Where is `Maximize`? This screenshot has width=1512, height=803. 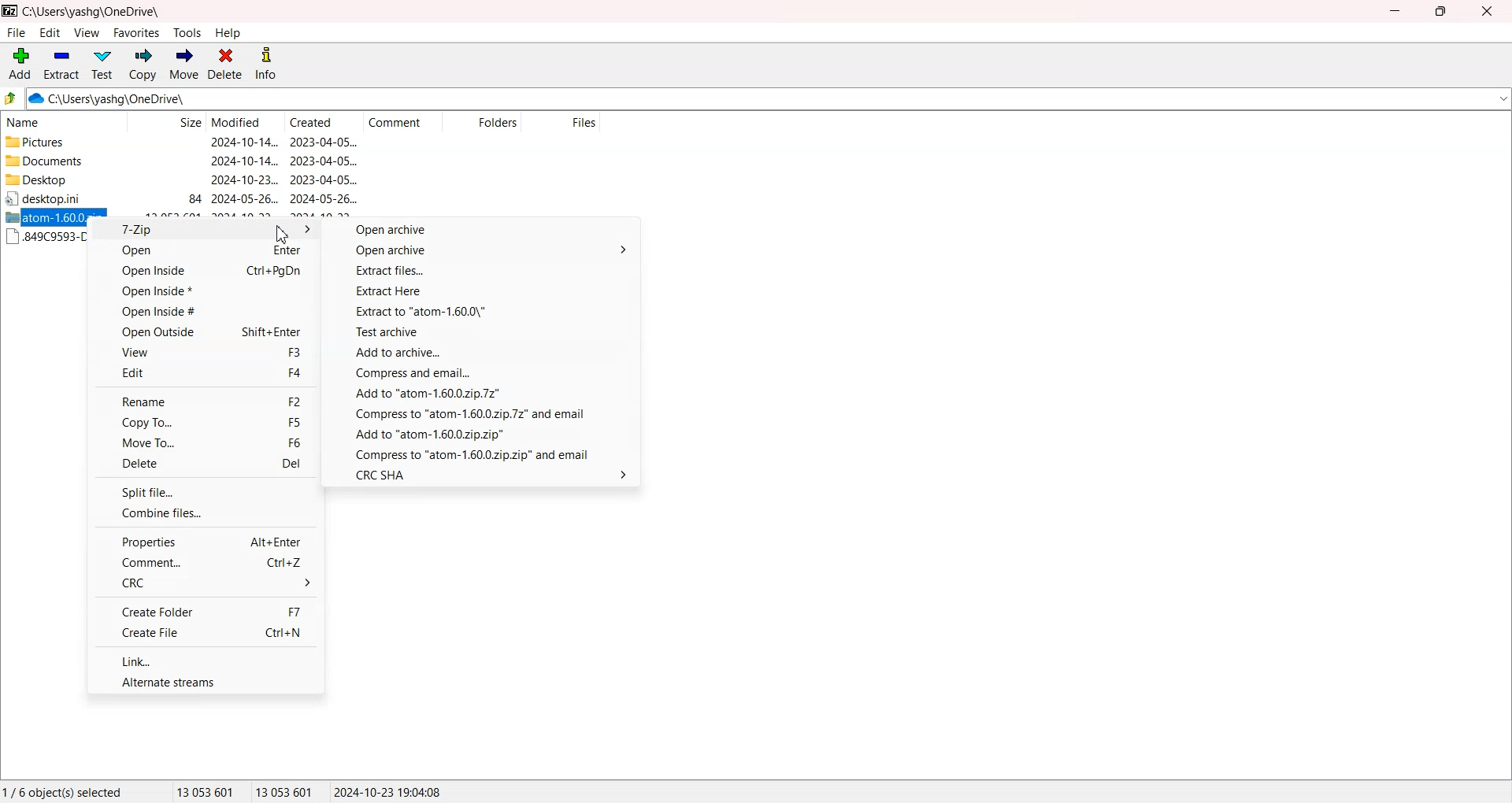
Maximize is located at coordinates (1440, 11).